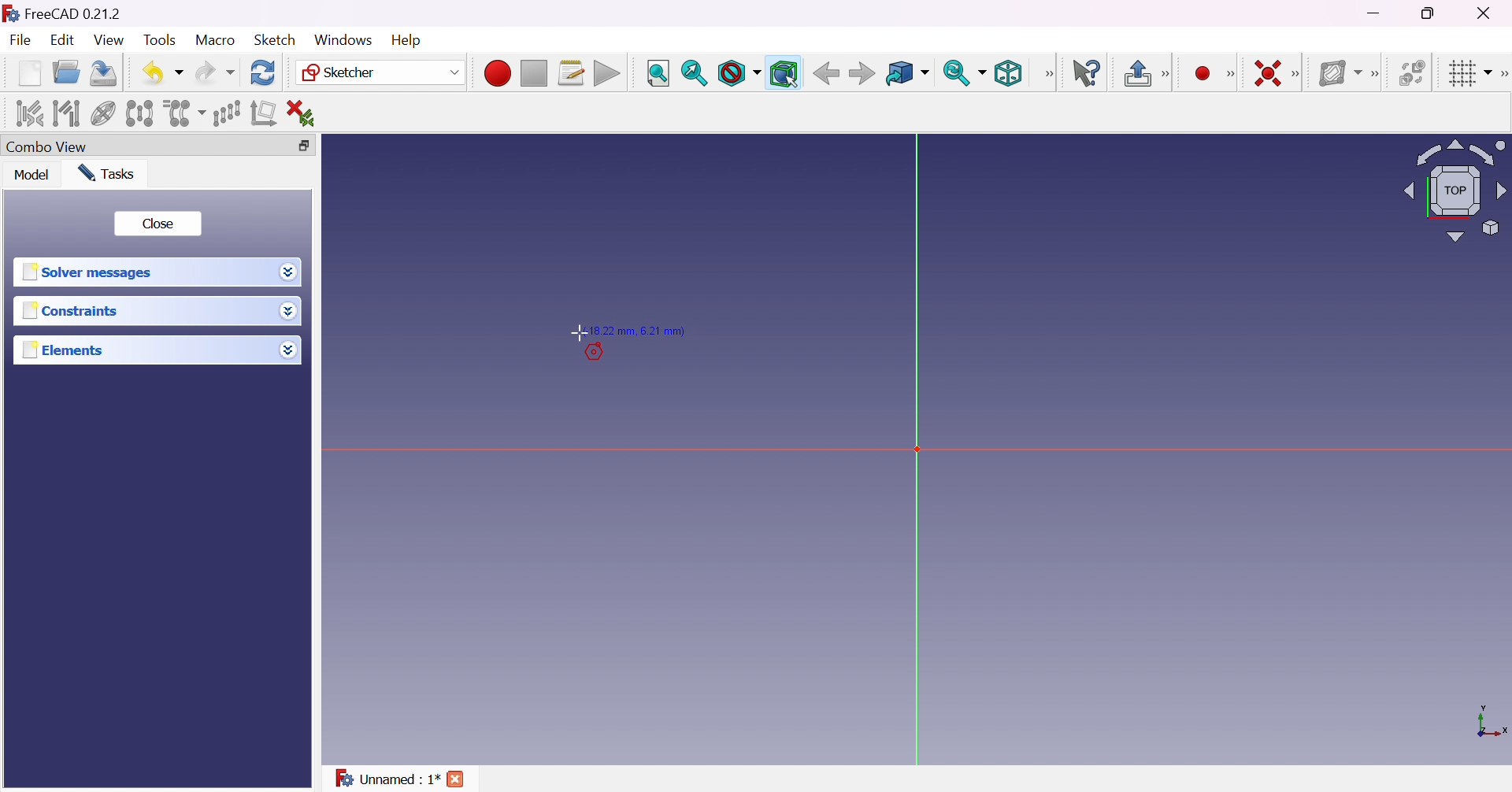  What do you see at coordinates (216, 40) in the screenshot?
I see `Macro` at bounding box center [216, 40].